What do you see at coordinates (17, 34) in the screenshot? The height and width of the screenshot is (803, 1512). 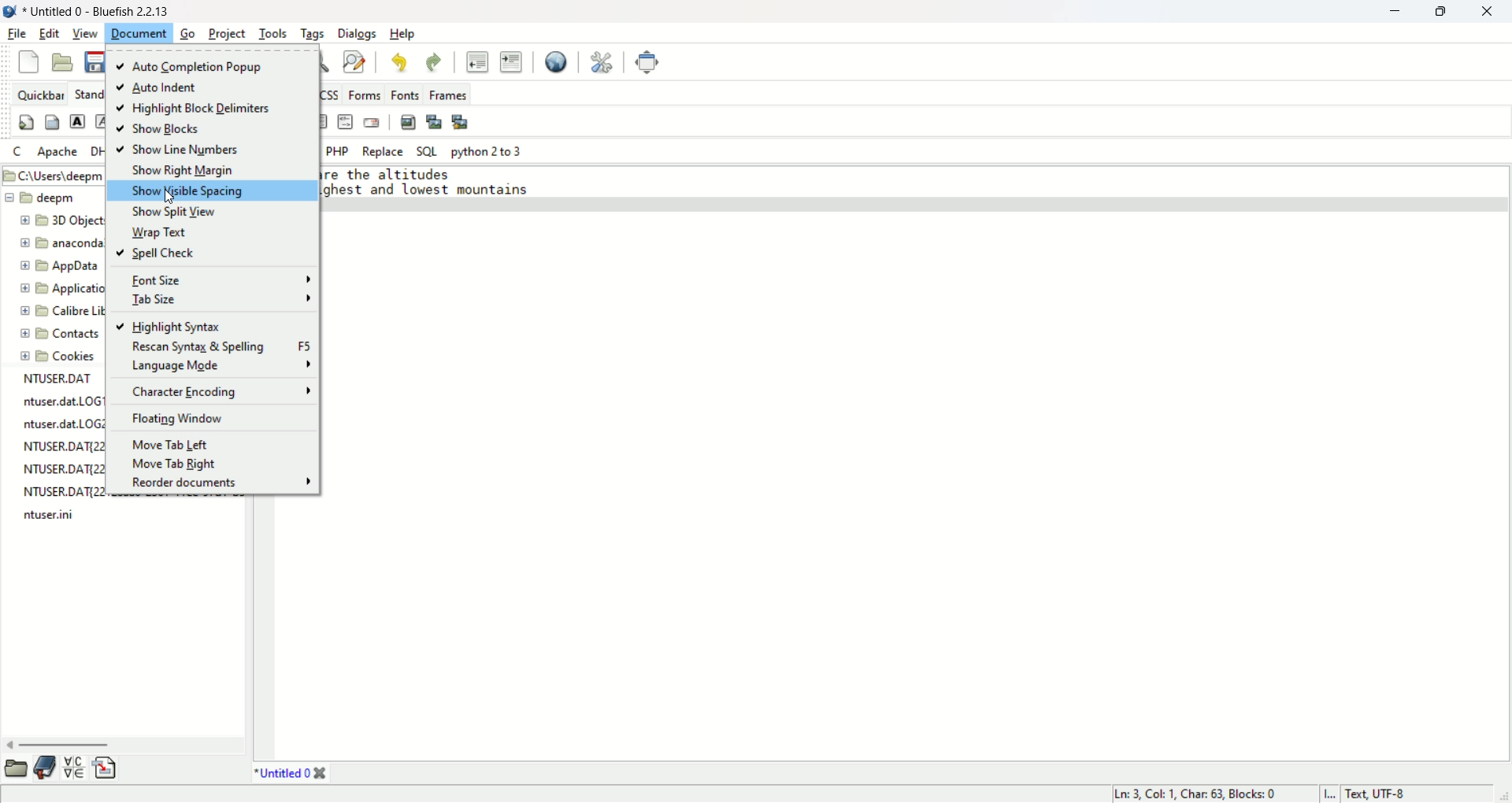 I see `file` at bounding box center [17, 34].